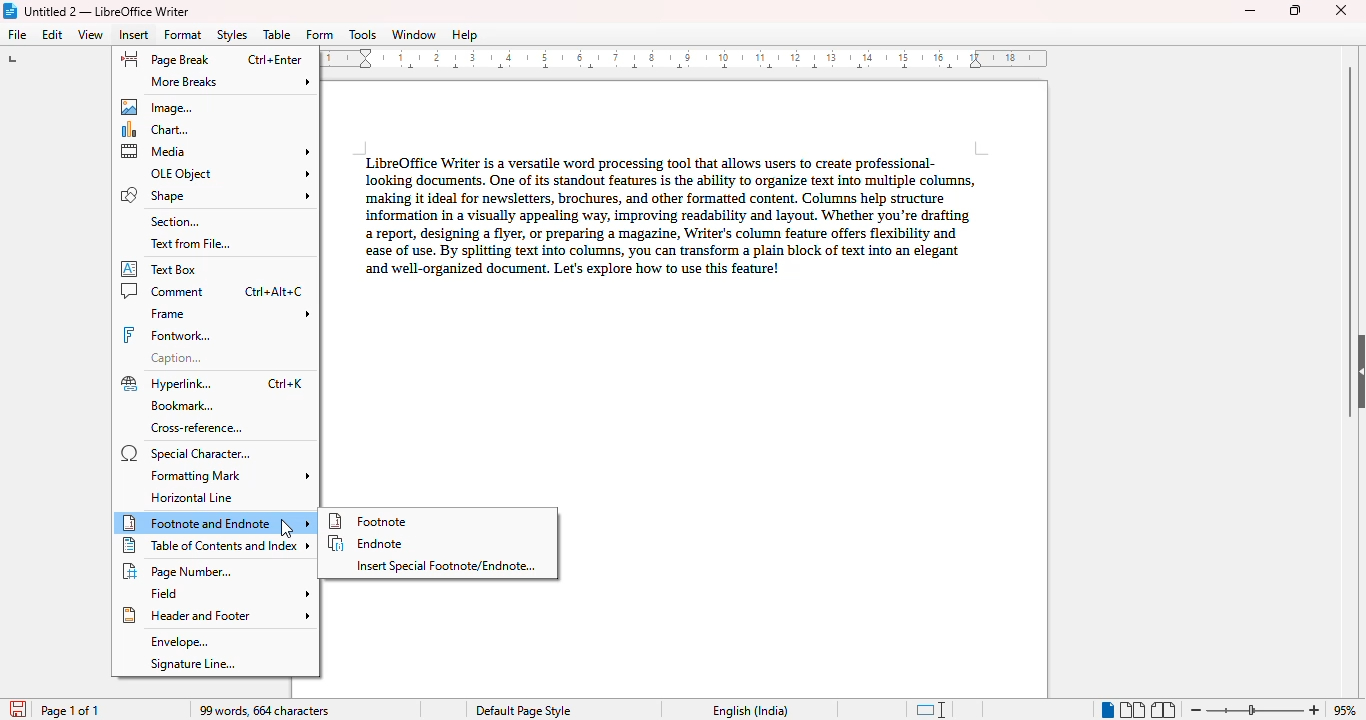 The height and width of the screenshot is (720, 1366). Describe the element at coordinates (931, 709) in the screenshot. I see `standard selection` at that location.